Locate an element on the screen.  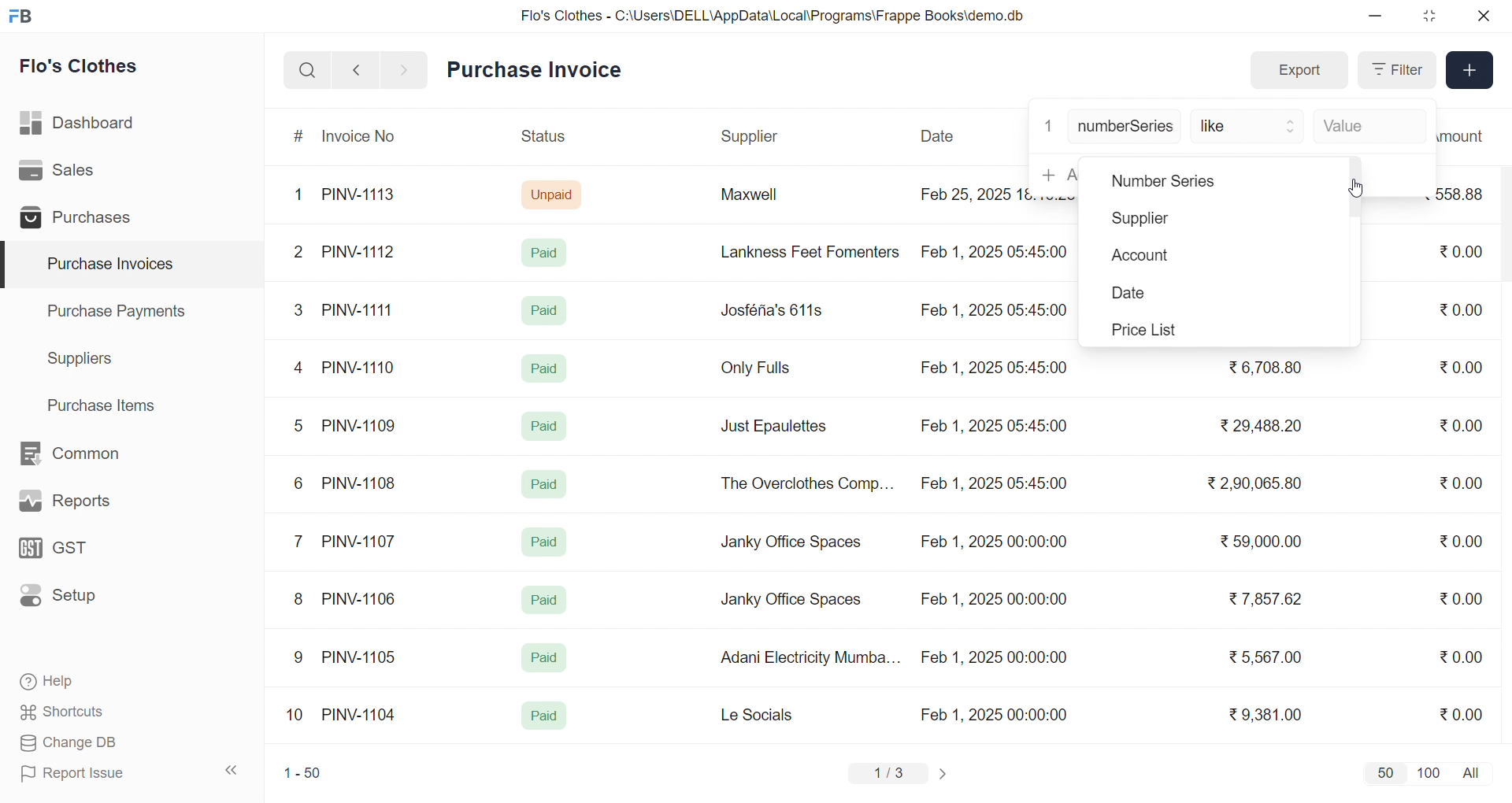
Filter is located at coordinates (1395, 70).